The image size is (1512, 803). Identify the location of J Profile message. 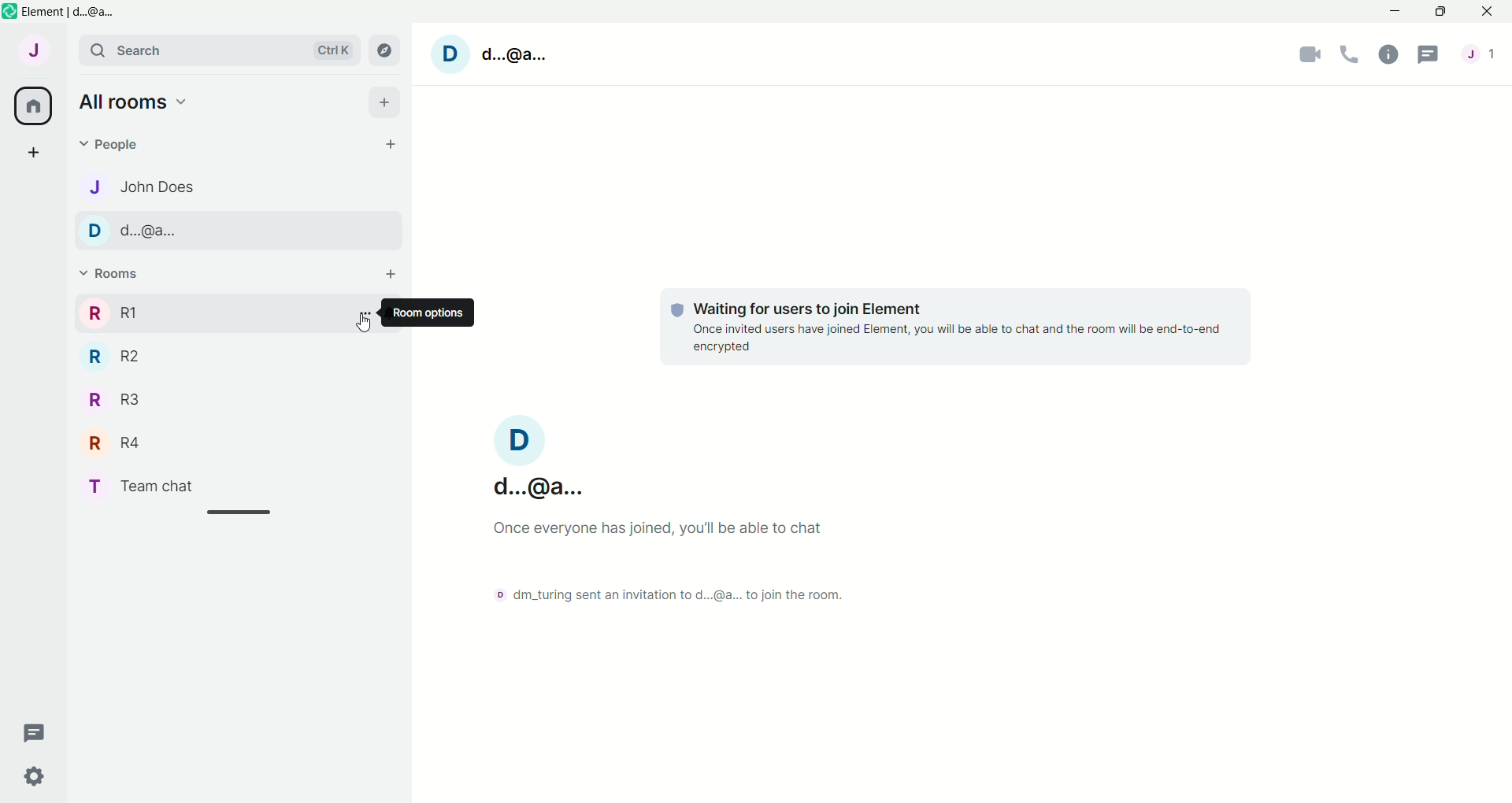
(1482, 56).